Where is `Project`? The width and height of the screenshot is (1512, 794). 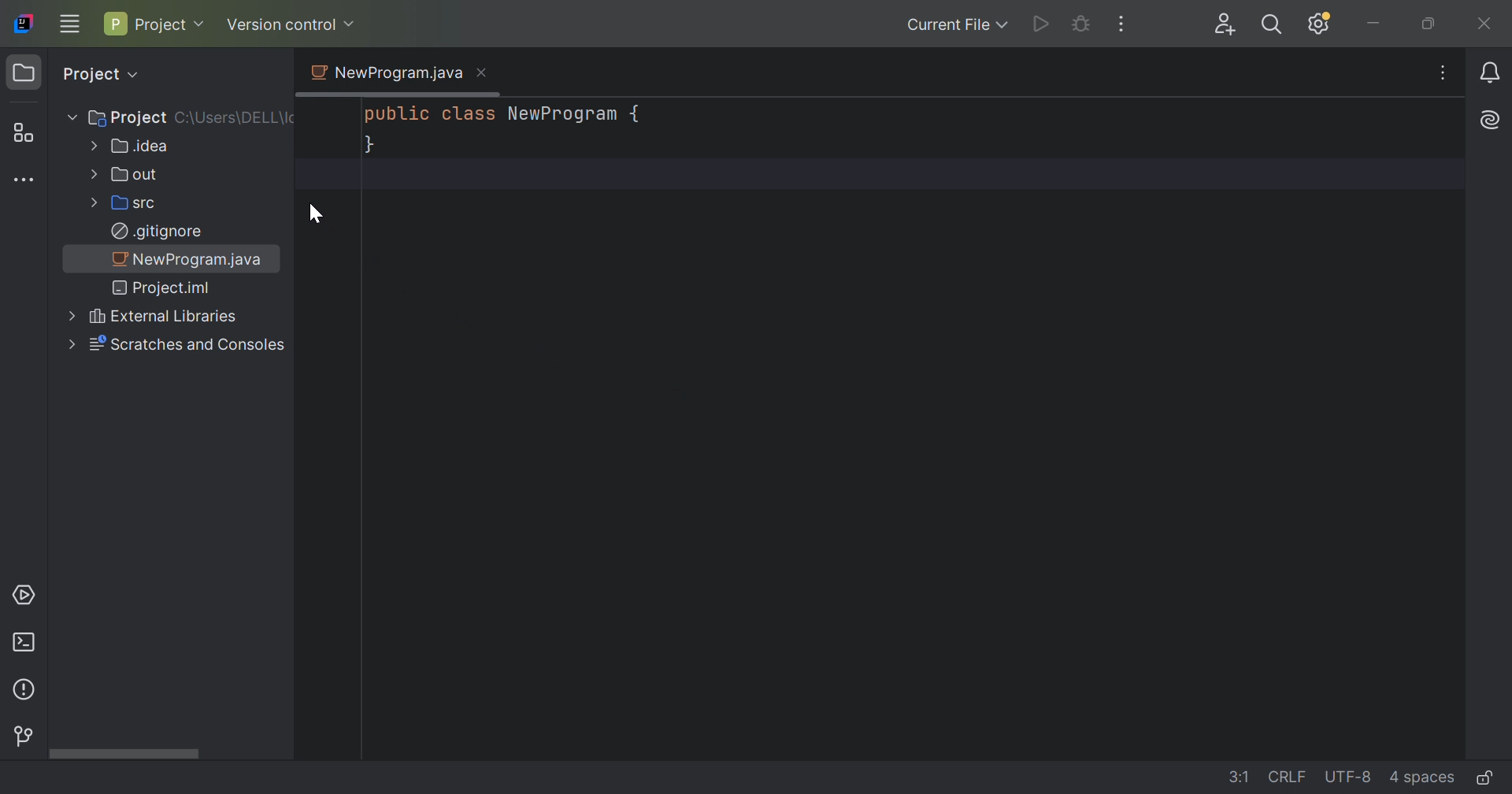 Project is located at coordinates (27, 74).